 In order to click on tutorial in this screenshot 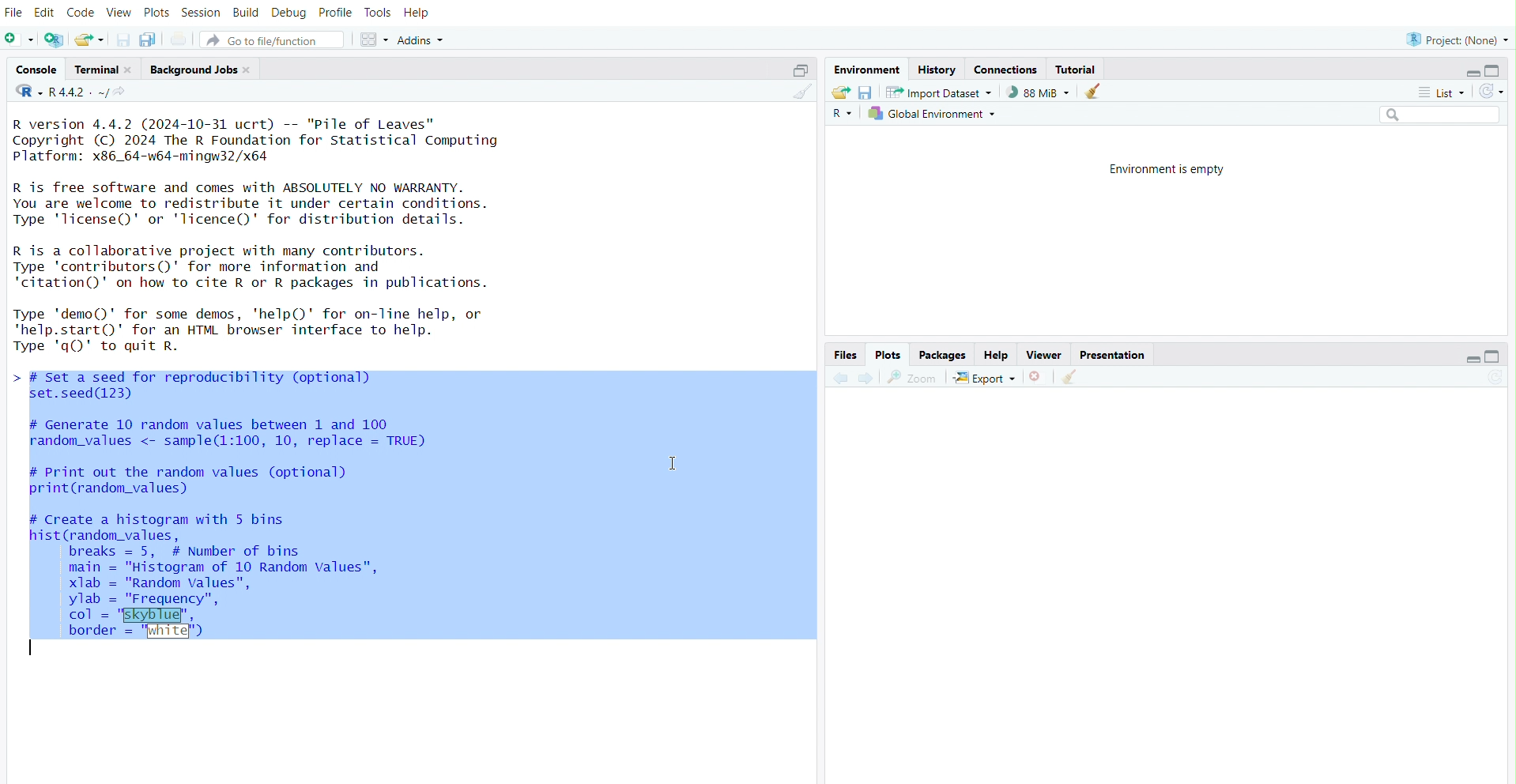, I will do `click(1075, 68)`.